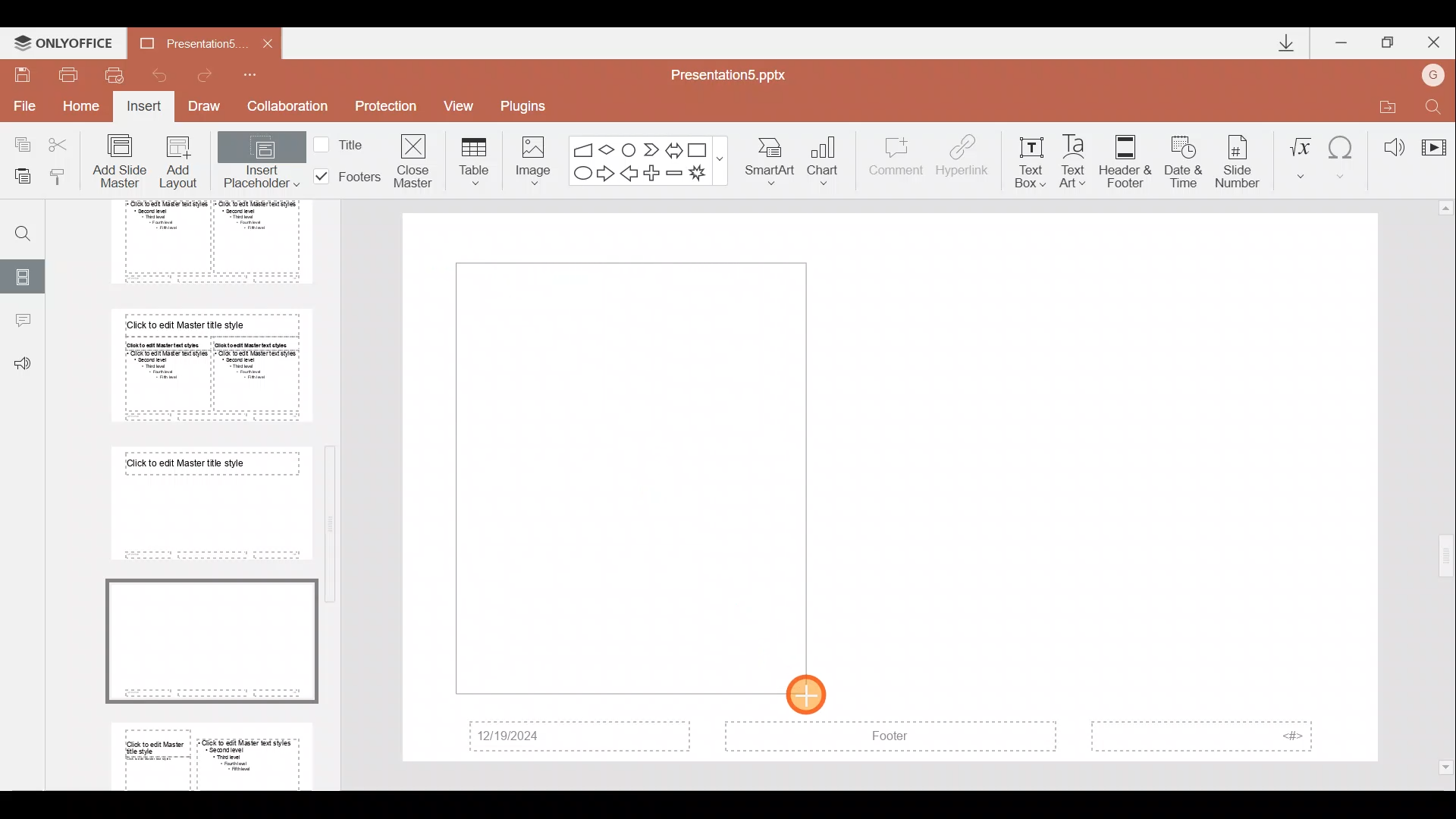  What do you see at coordinates (472, 160) in the screenshot?
I see `Table` at bounding box center [472, 160].